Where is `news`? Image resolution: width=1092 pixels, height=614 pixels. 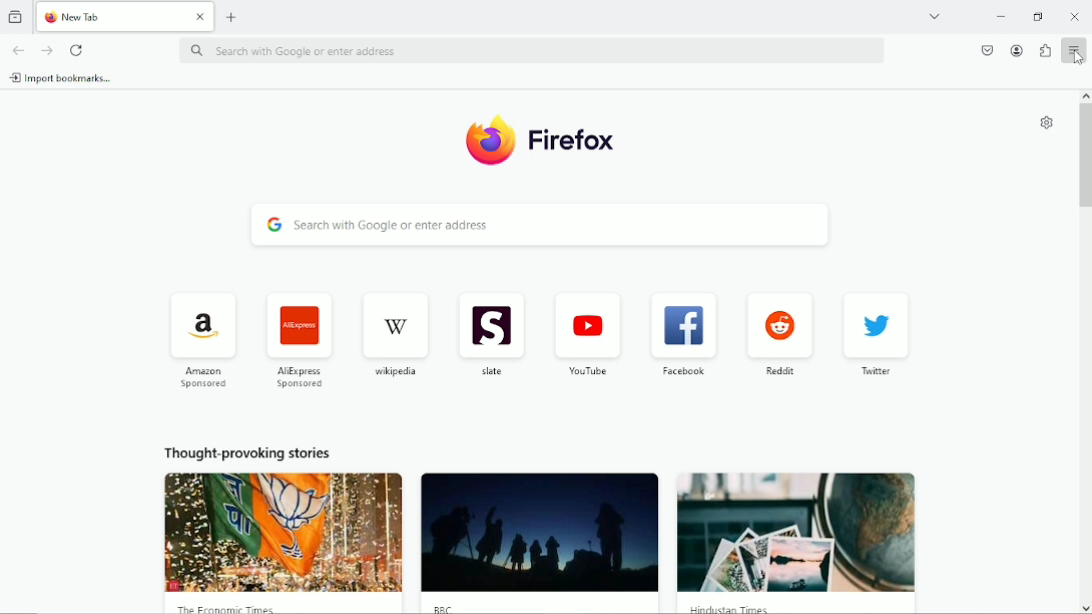
news is located at coordinates (795, 543).